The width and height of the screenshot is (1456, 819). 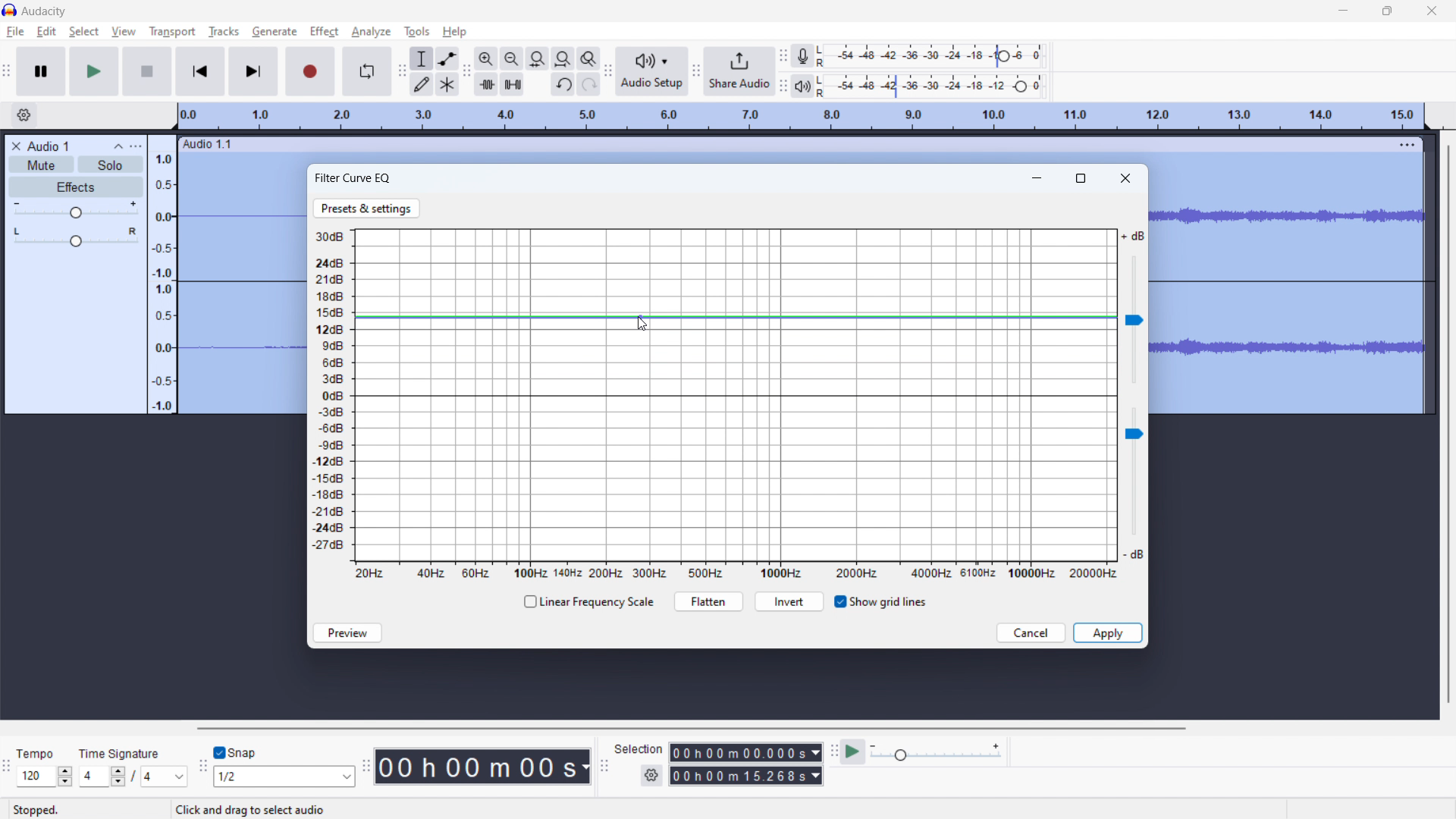 I want to click on close, so click(x=1432, y=10).